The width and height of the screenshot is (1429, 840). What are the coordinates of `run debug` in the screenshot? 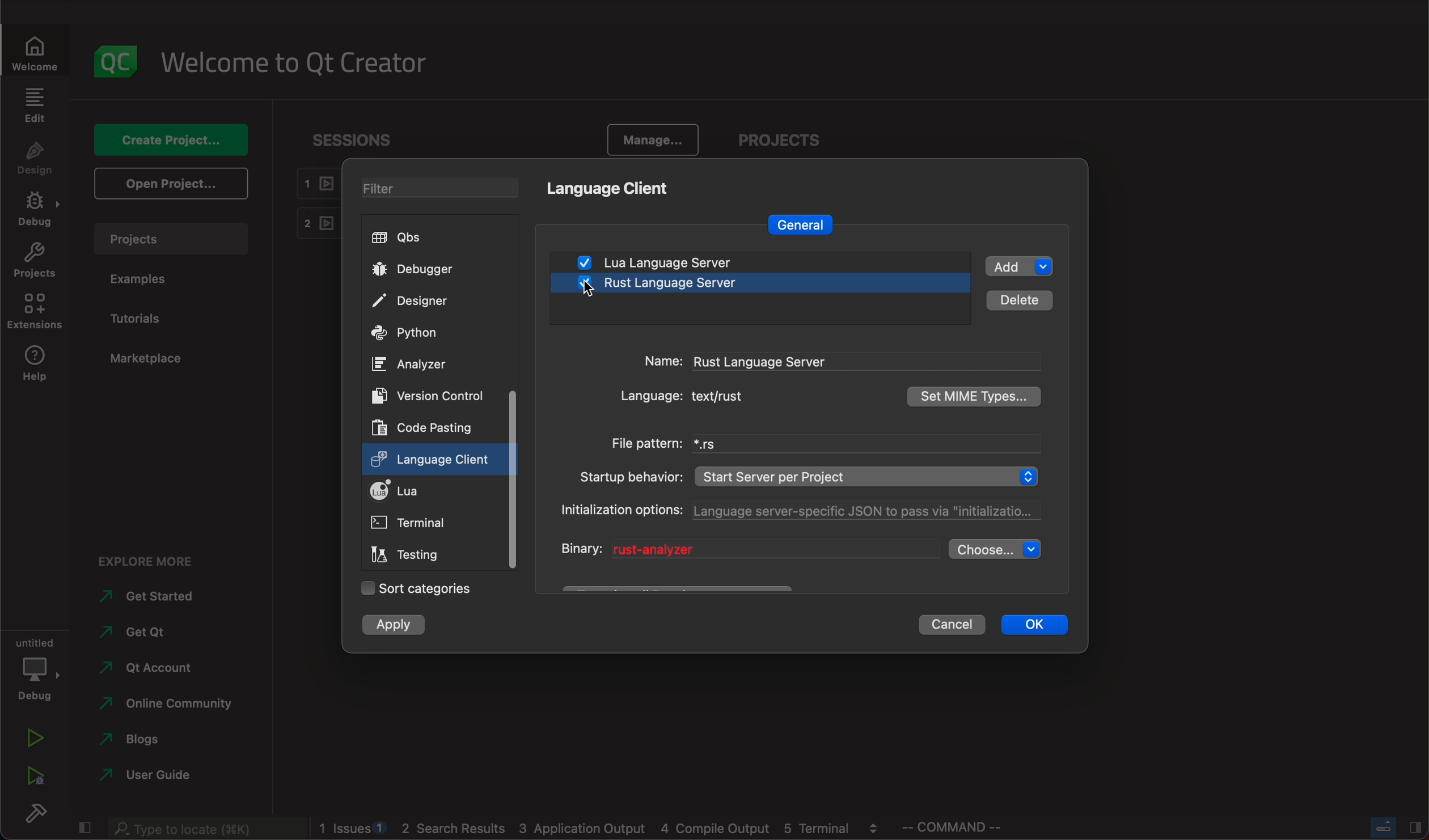 It's located at (32, 779).